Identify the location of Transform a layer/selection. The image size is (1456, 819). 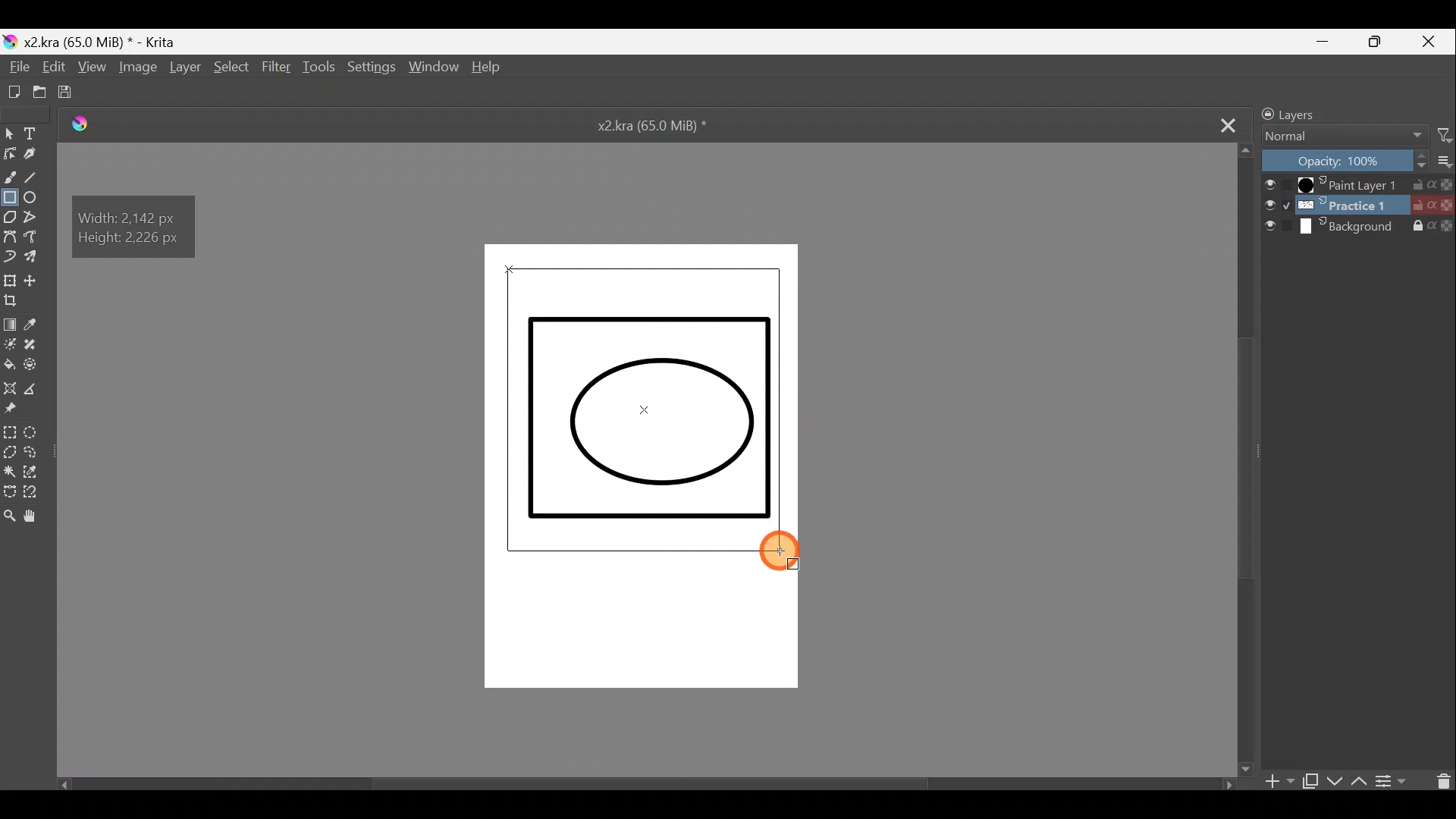
(9, 278).